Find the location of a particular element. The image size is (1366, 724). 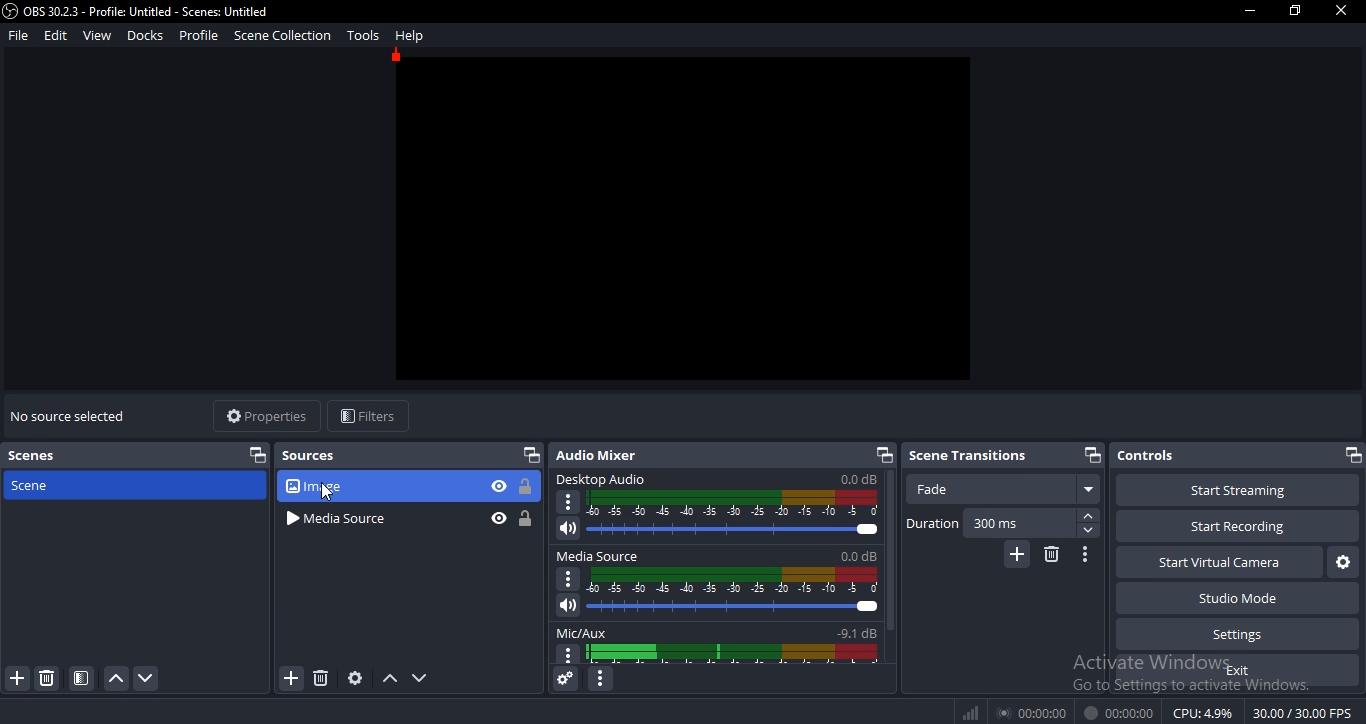

restore is located at coordinates (528, 454).